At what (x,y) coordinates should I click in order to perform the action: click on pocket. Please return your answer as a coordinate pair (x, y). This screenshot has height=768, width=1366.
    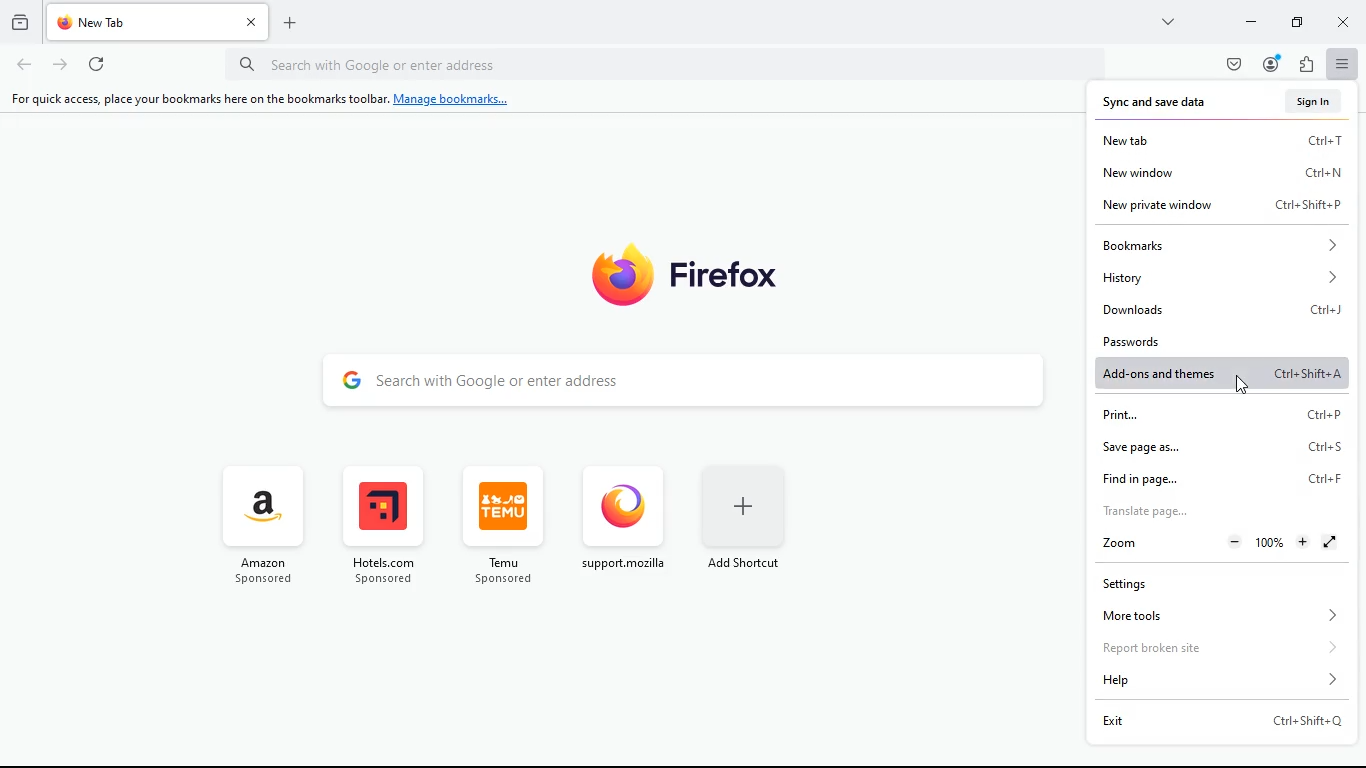
    Looking at the image, I should click on (1228, 65).